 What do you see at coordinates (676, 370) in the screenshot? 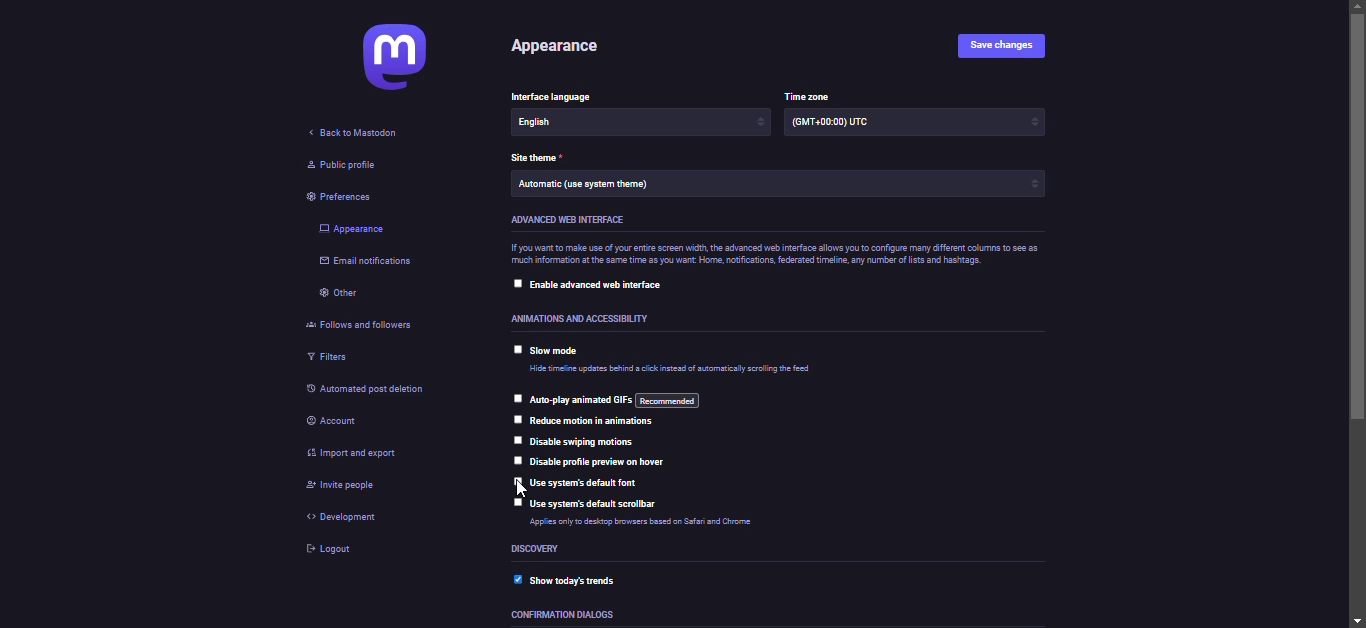
I see `info` at bounding box center [676, 370].